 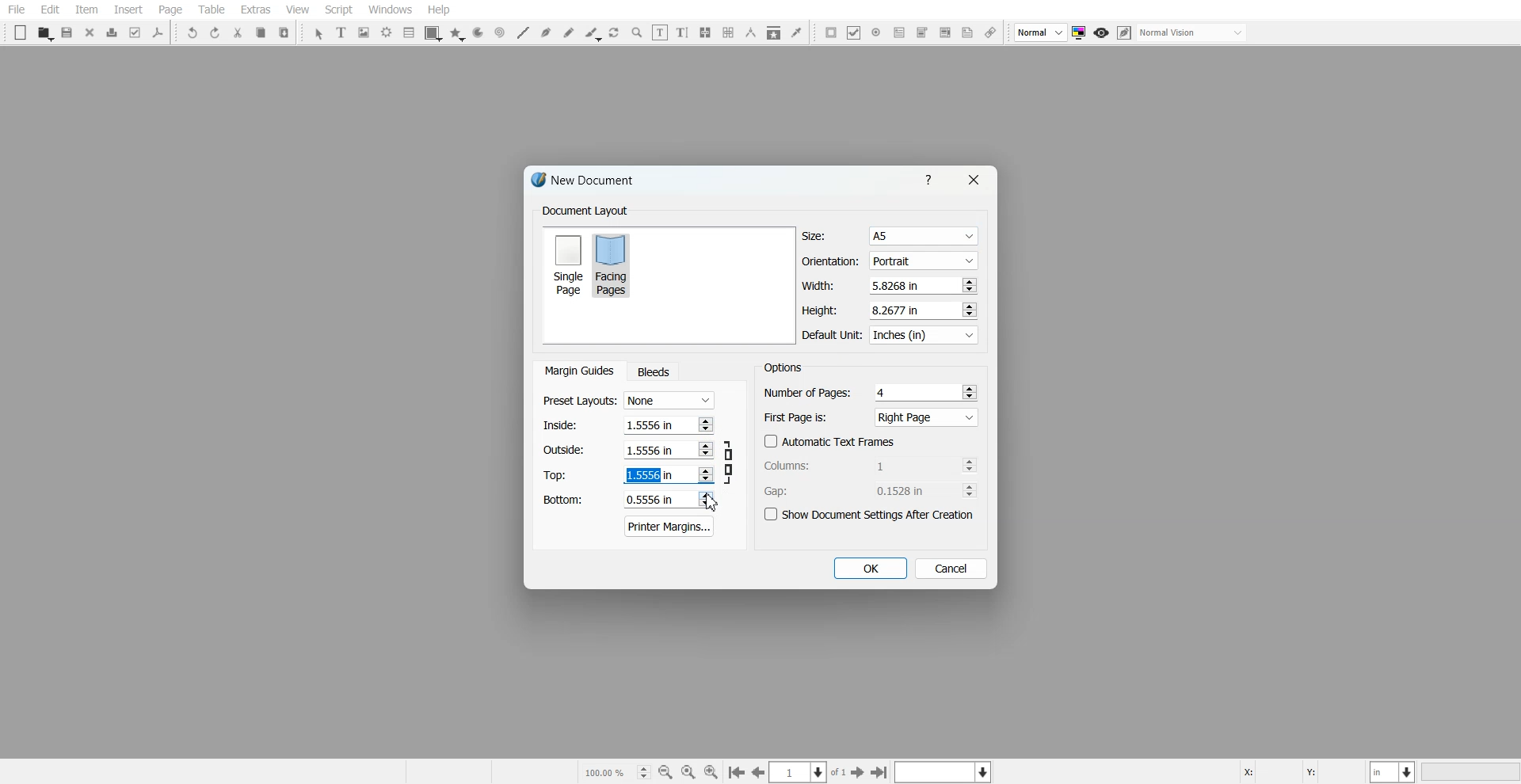 I want to click on Top margin adjuster, so click(x=628, y=474).